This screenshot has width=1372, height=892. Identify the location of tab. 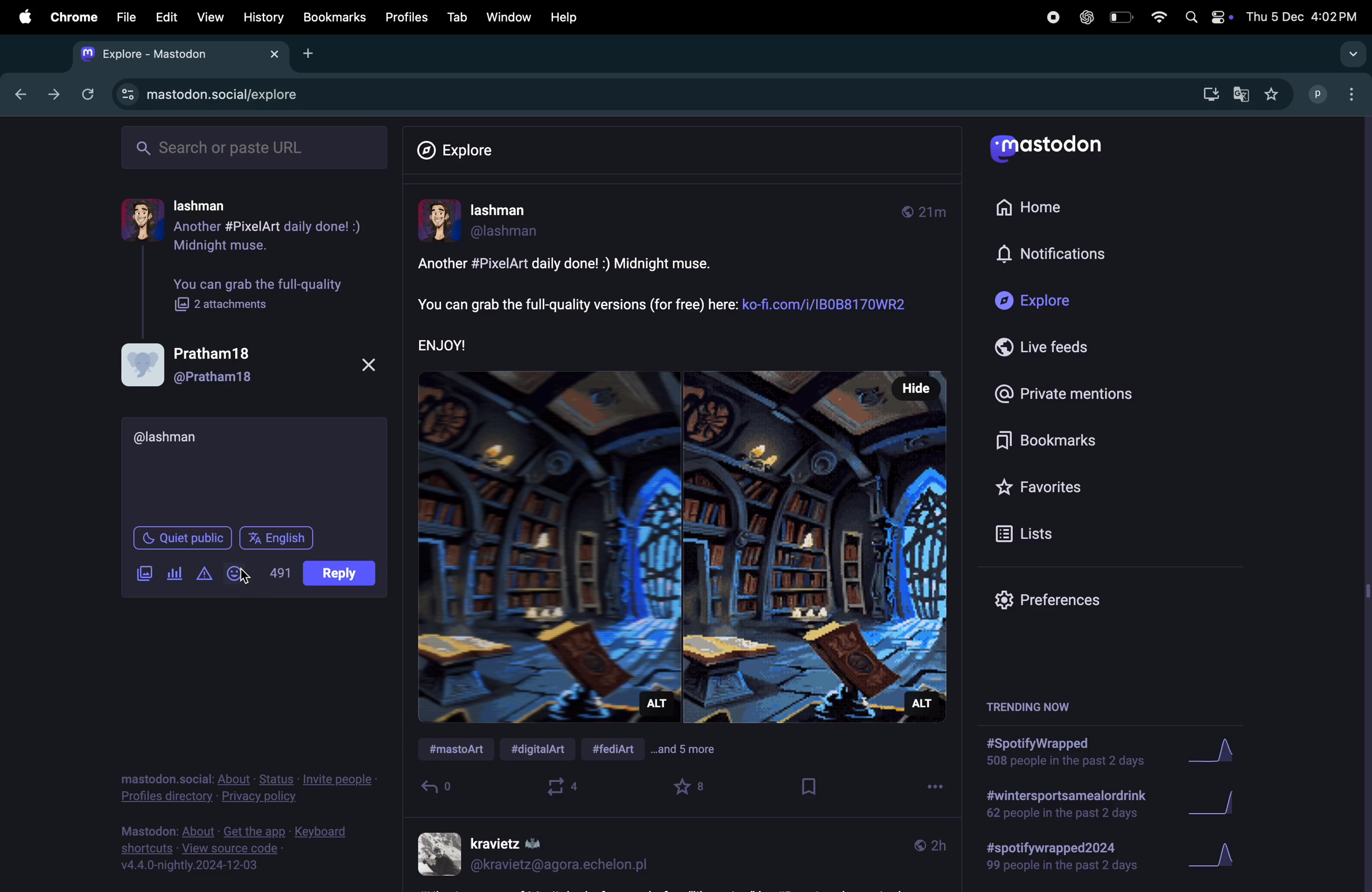
(455, 17).